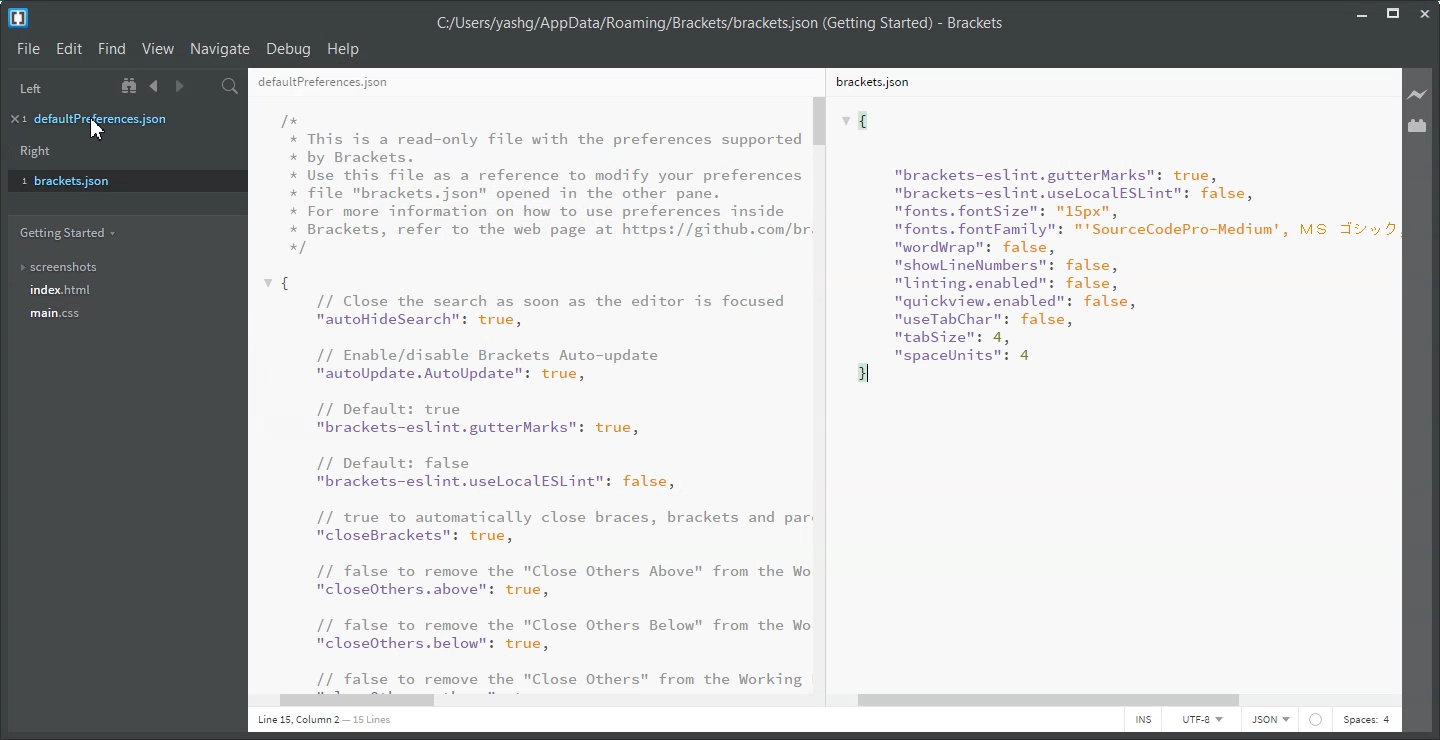  What do you see at coordinates (111, 49) in the screenshot?
I see `Find` at bounding box center [111, 49].